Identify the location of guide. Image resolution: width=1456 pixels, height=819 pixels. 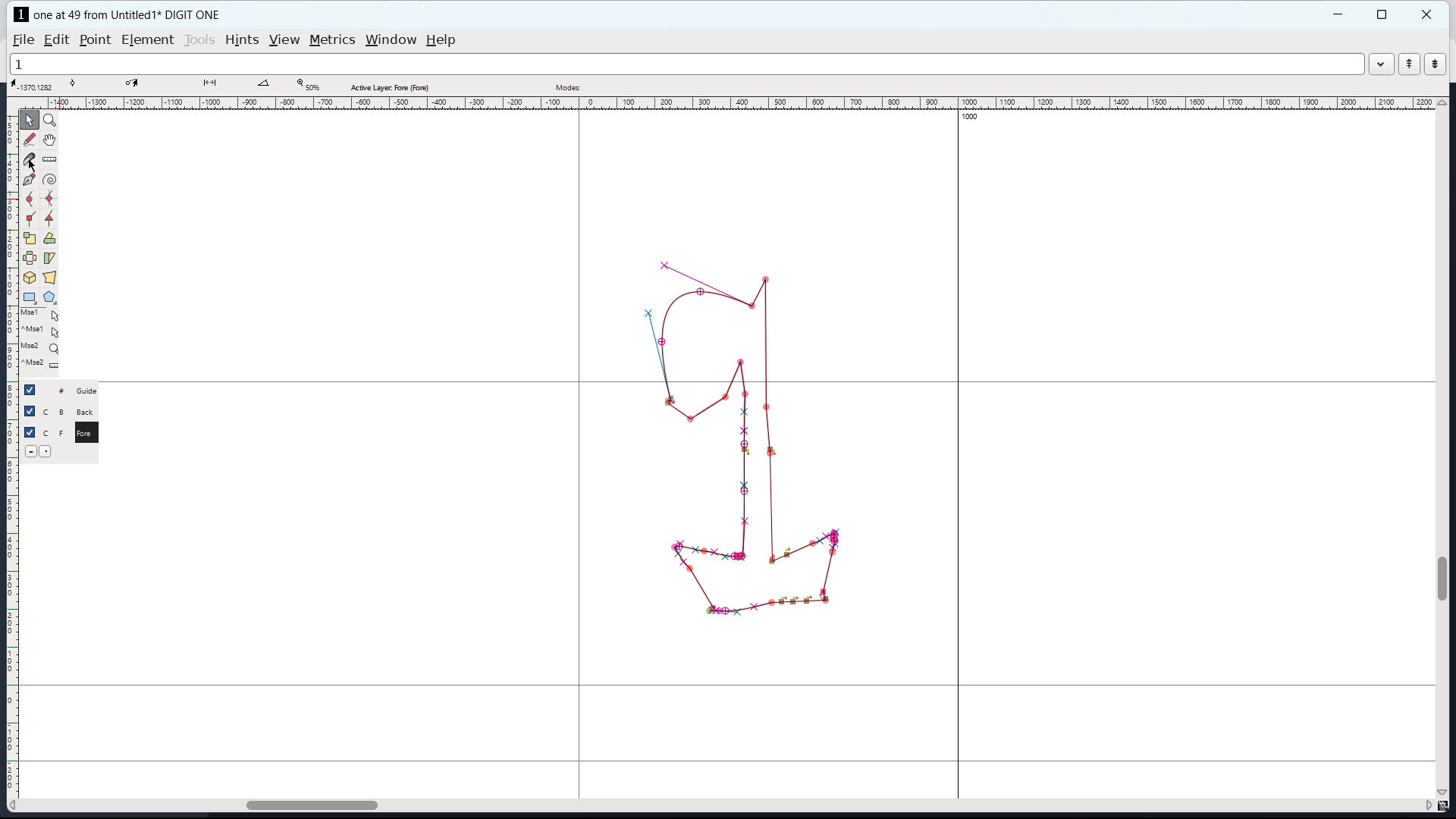
(91, 391).